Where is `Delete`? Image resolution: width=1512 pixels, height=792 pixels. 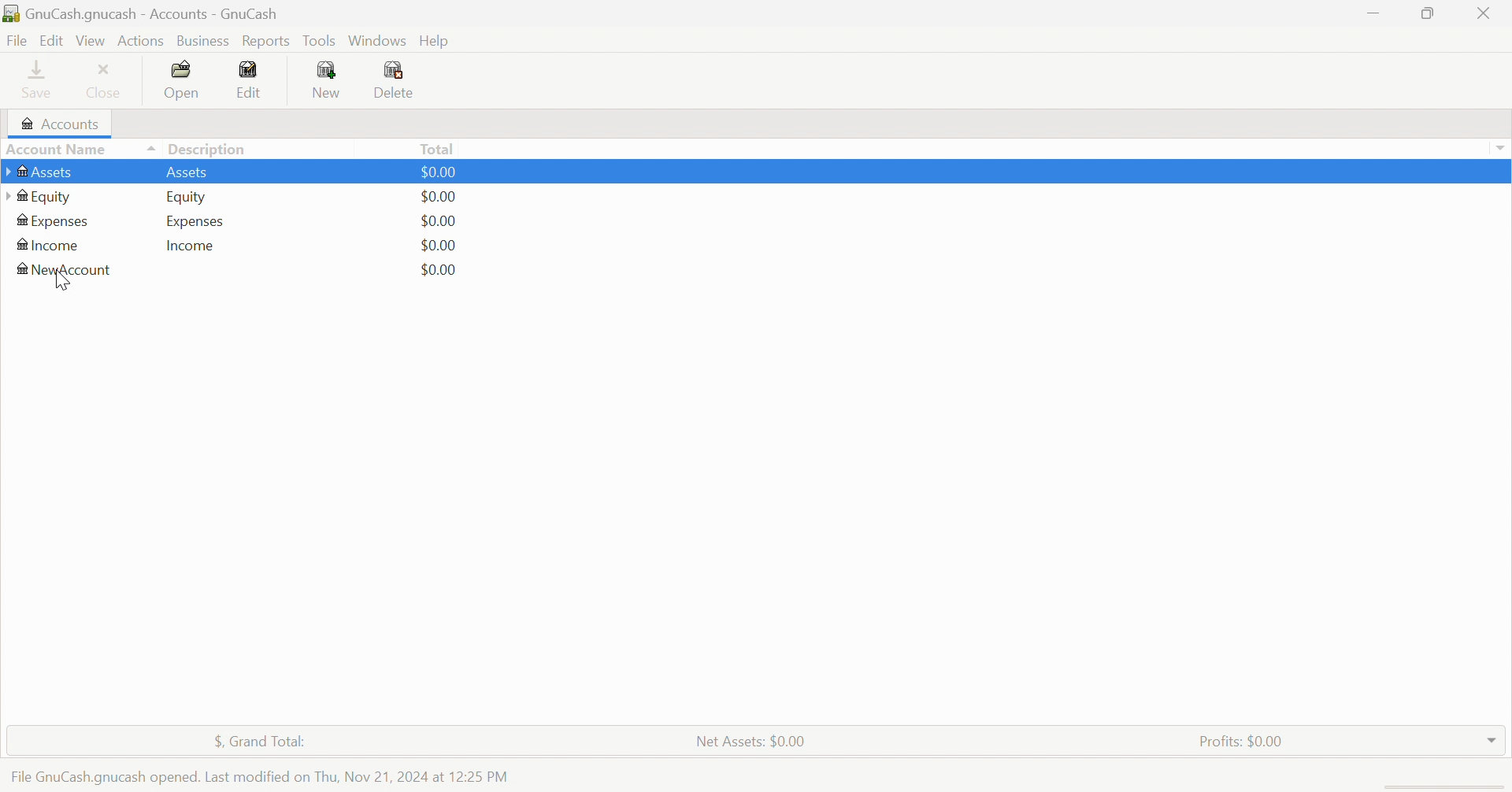 Delete is located at coordinates (395, 81).